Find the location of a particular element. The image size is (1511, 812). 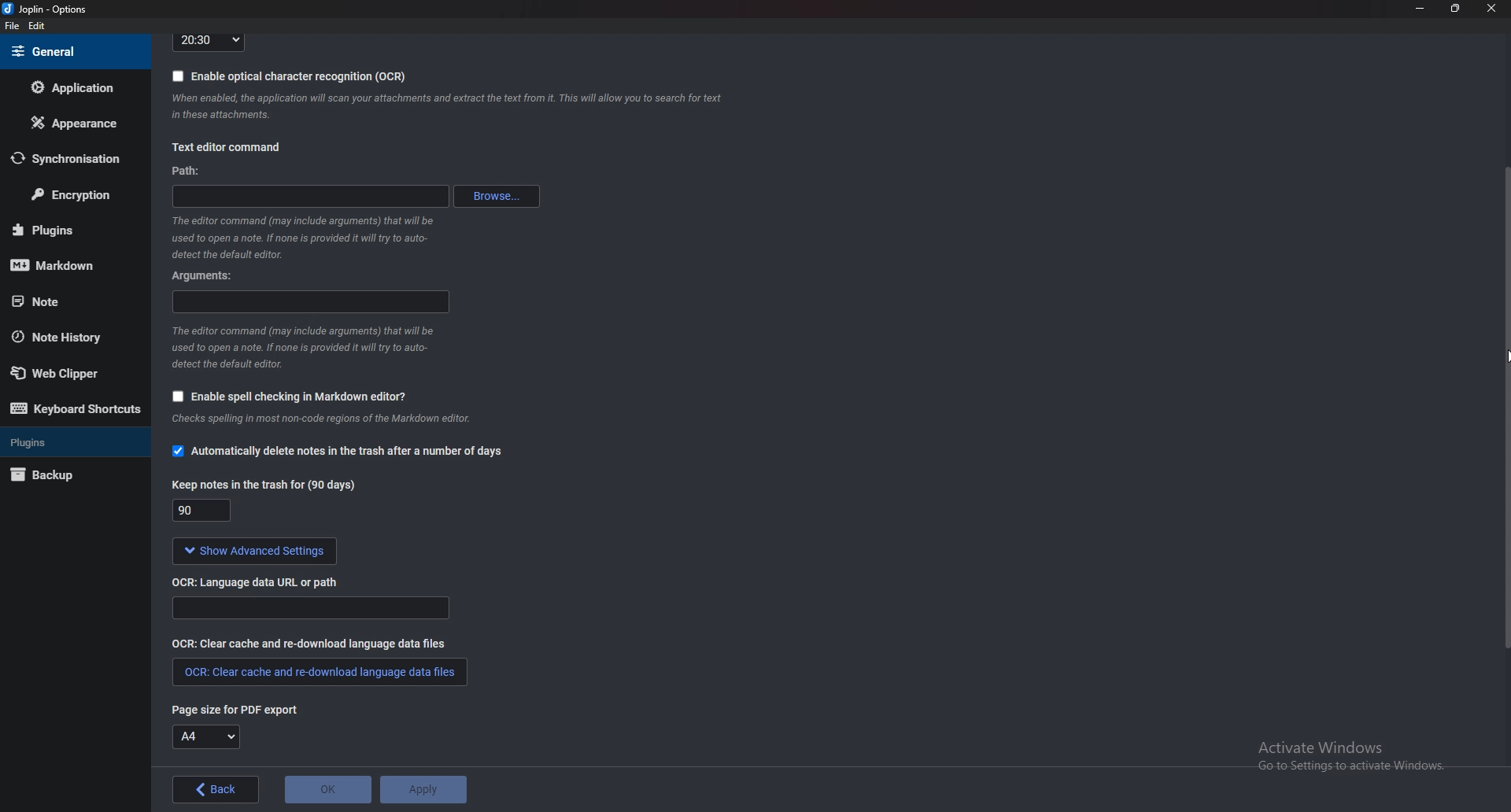

Appearance is located at coordinates (72, 123).